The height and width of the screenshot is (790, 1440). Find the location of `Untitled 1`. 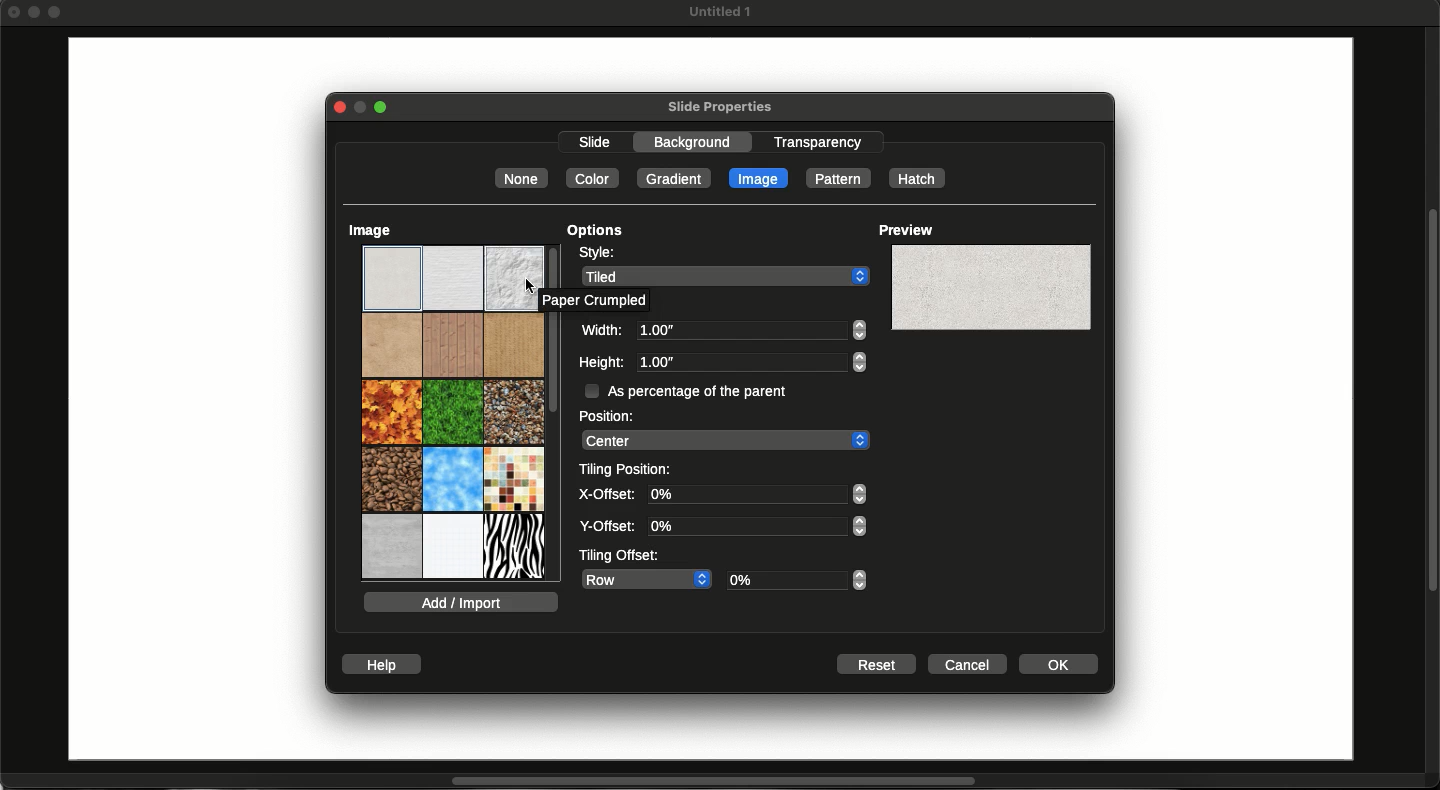

Untitled 1 is located at coordinates (718, 12).